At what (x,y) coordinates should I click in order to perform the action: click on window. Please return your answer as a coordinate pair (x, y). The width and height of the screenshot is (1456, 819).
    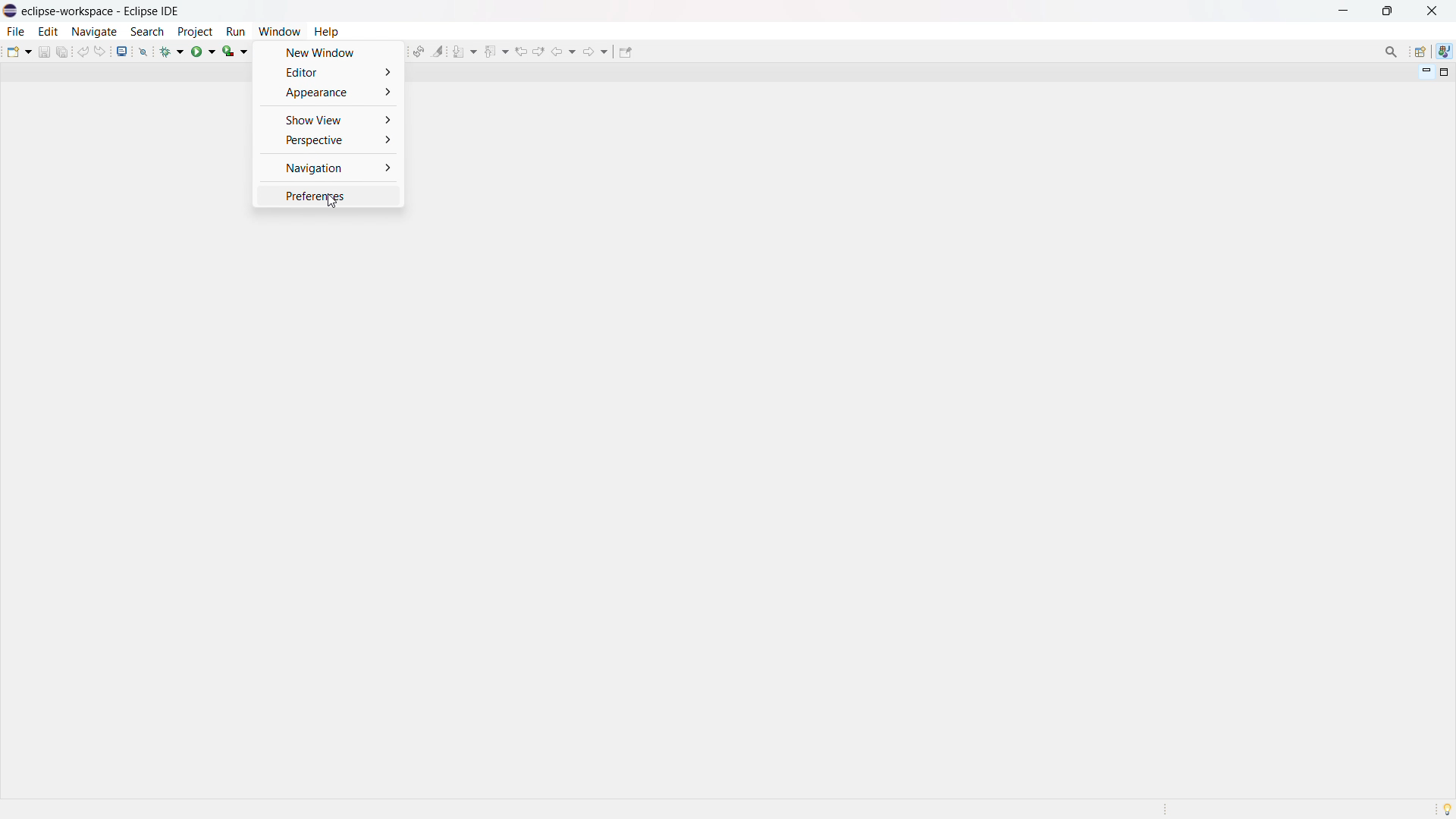
    Looking at the image, I should click on (279, 31).